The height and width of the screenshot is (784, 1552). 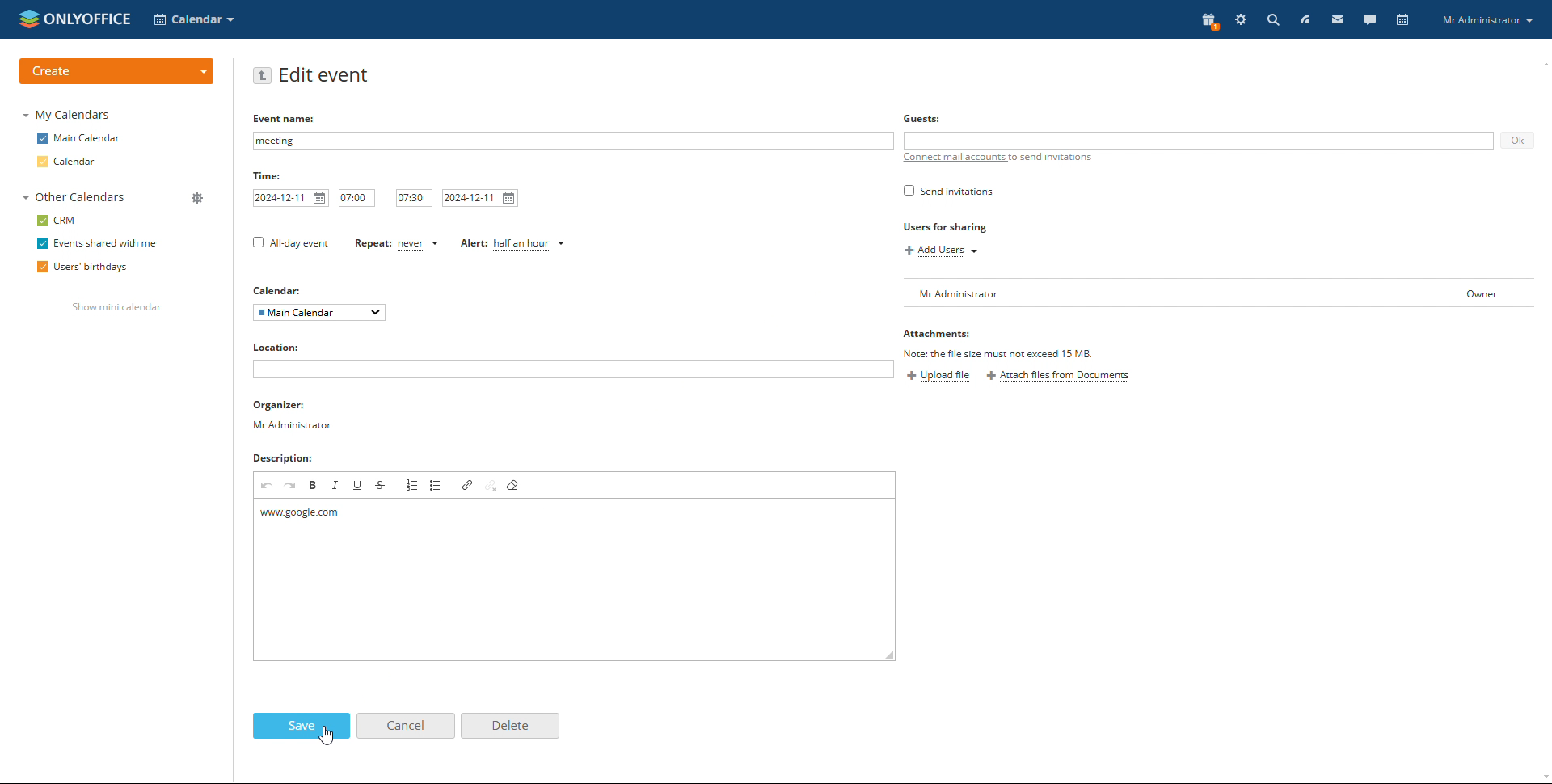 I want to click on mail, so click(x=1339, y=19).